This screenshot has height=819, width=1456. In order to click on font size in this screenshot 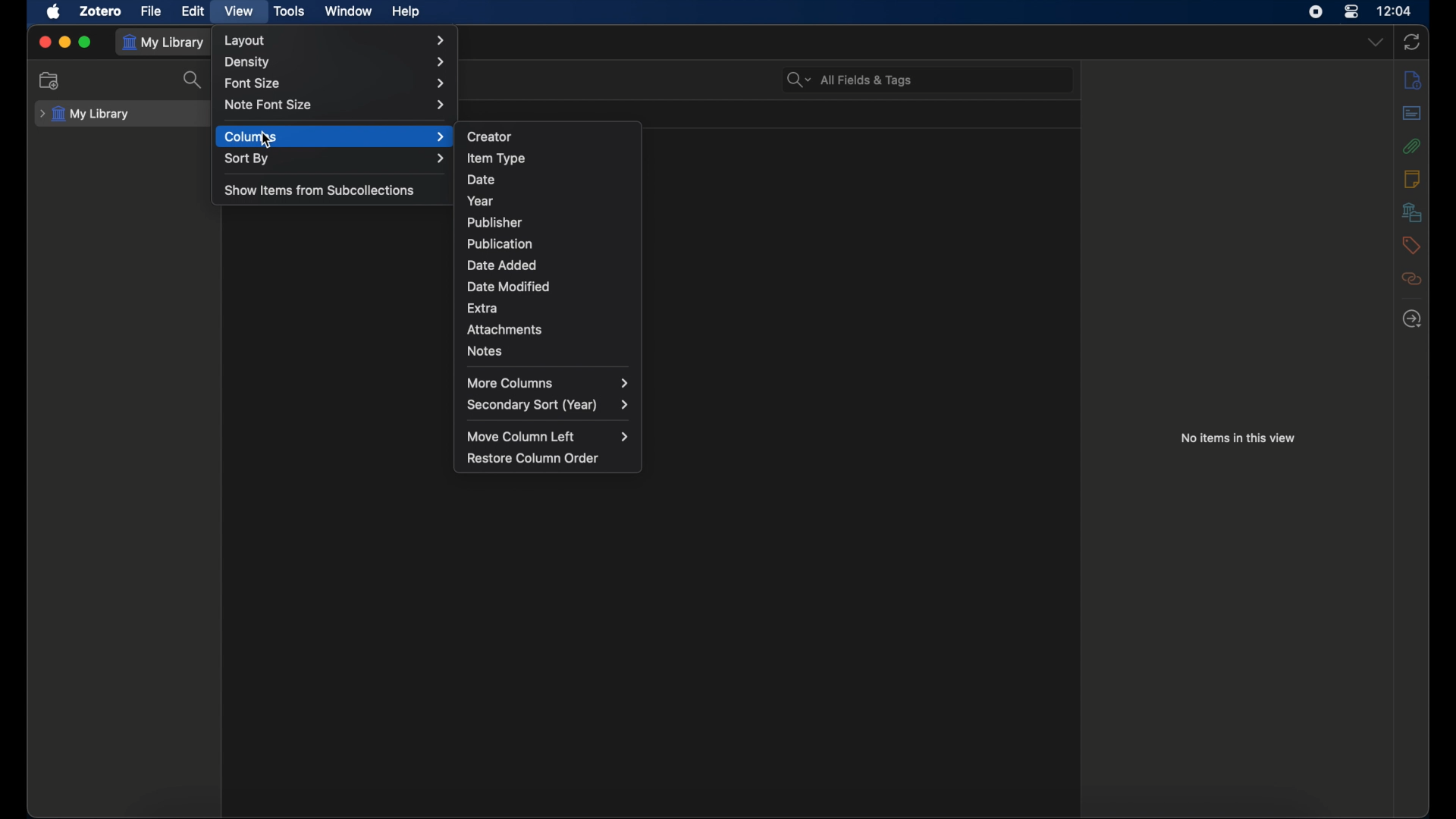, I will do `click(336, 83)`.